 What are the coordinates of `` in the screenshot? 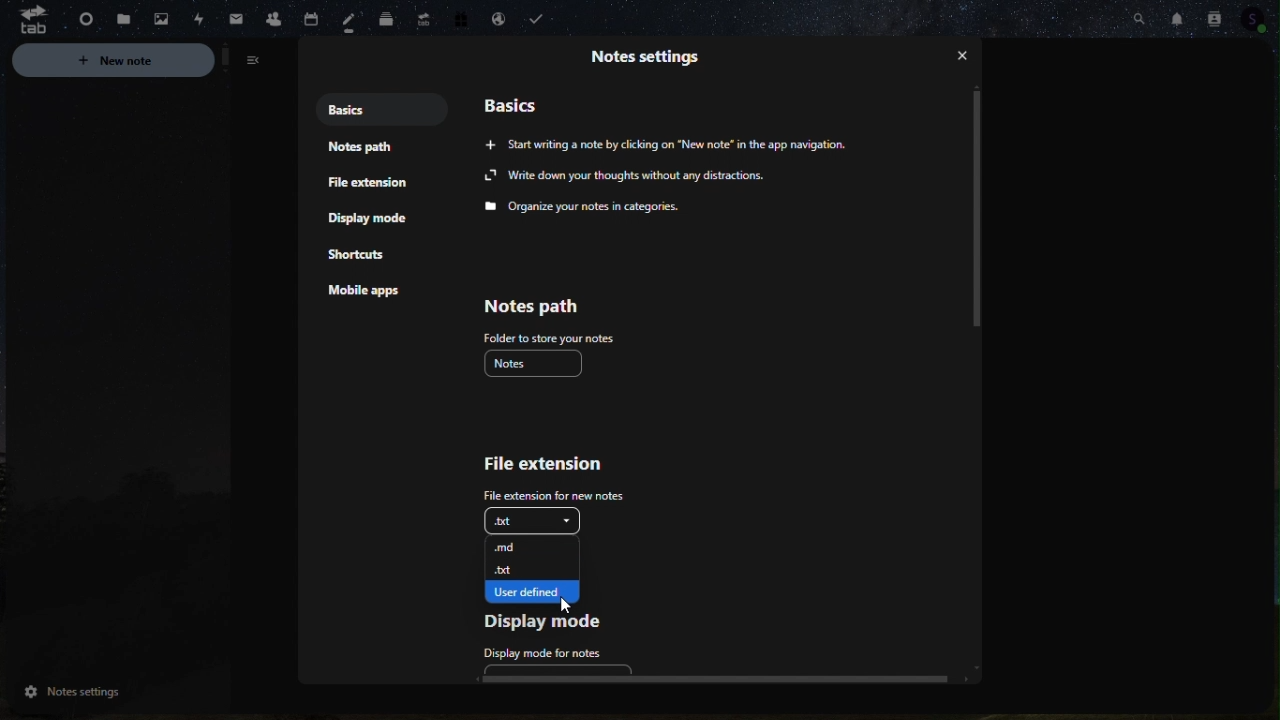 It's located at (655, 62).